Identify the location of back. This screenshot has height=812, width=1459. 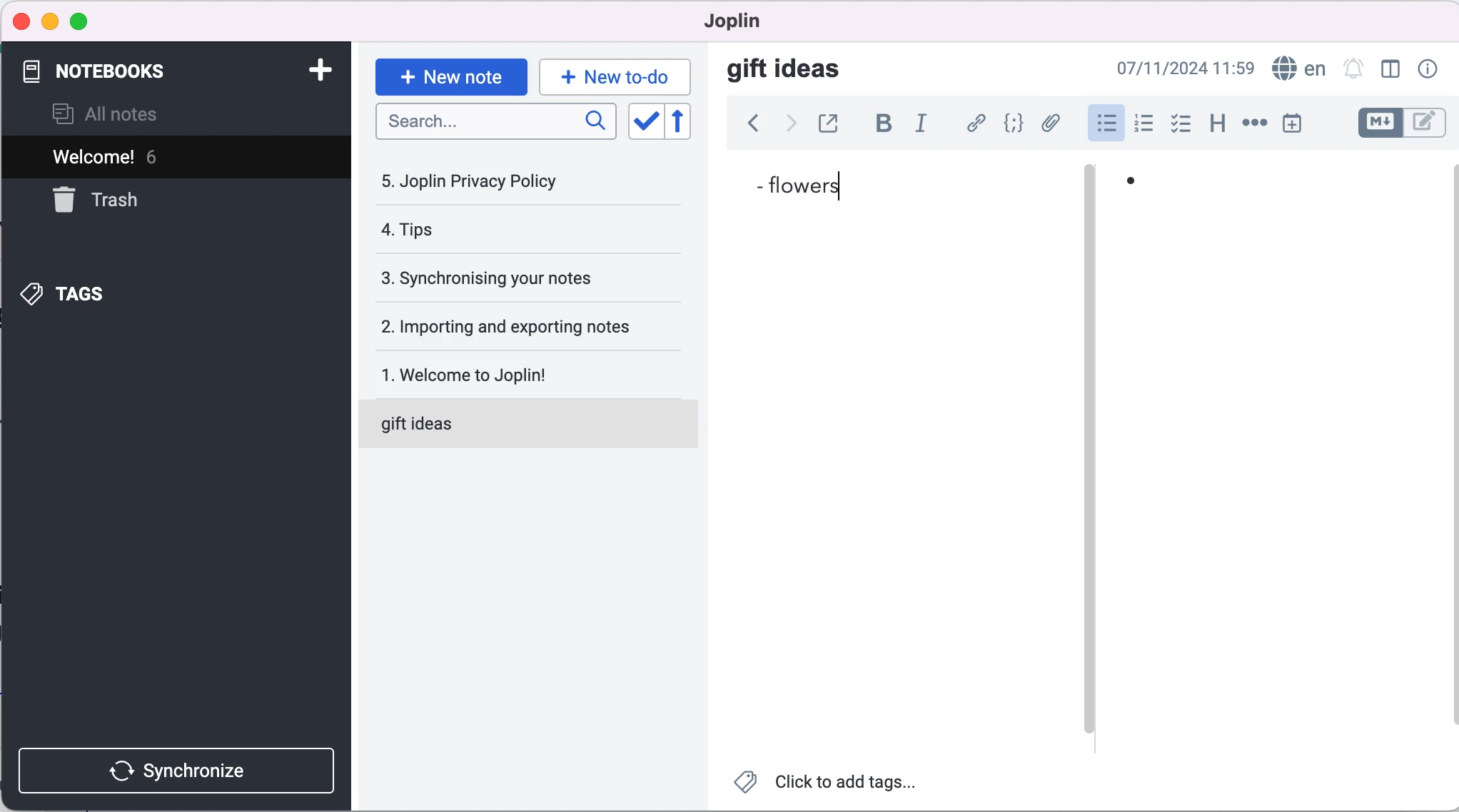
(749, 126).